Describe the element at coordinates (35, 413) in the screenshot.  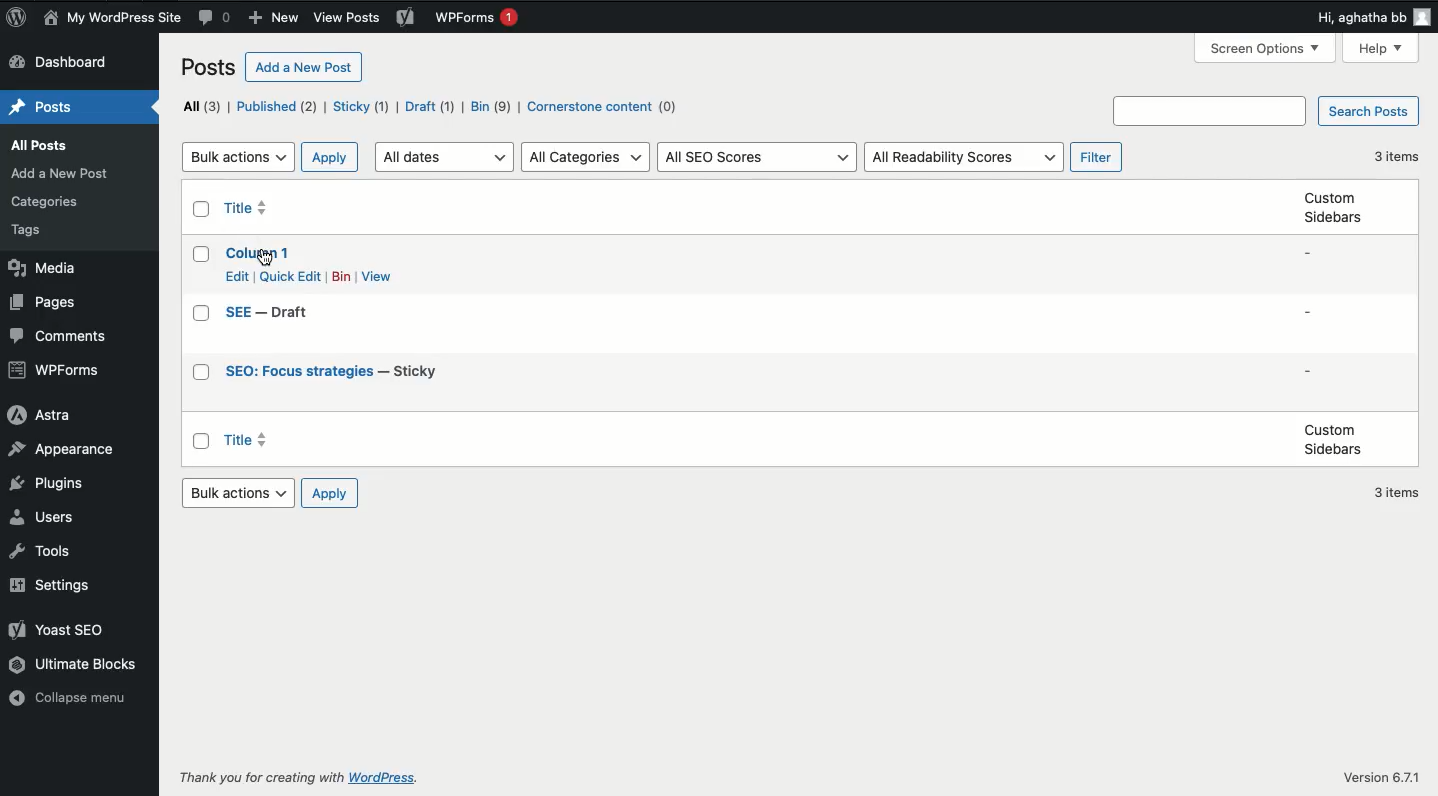
I see `Astra ` at that location.